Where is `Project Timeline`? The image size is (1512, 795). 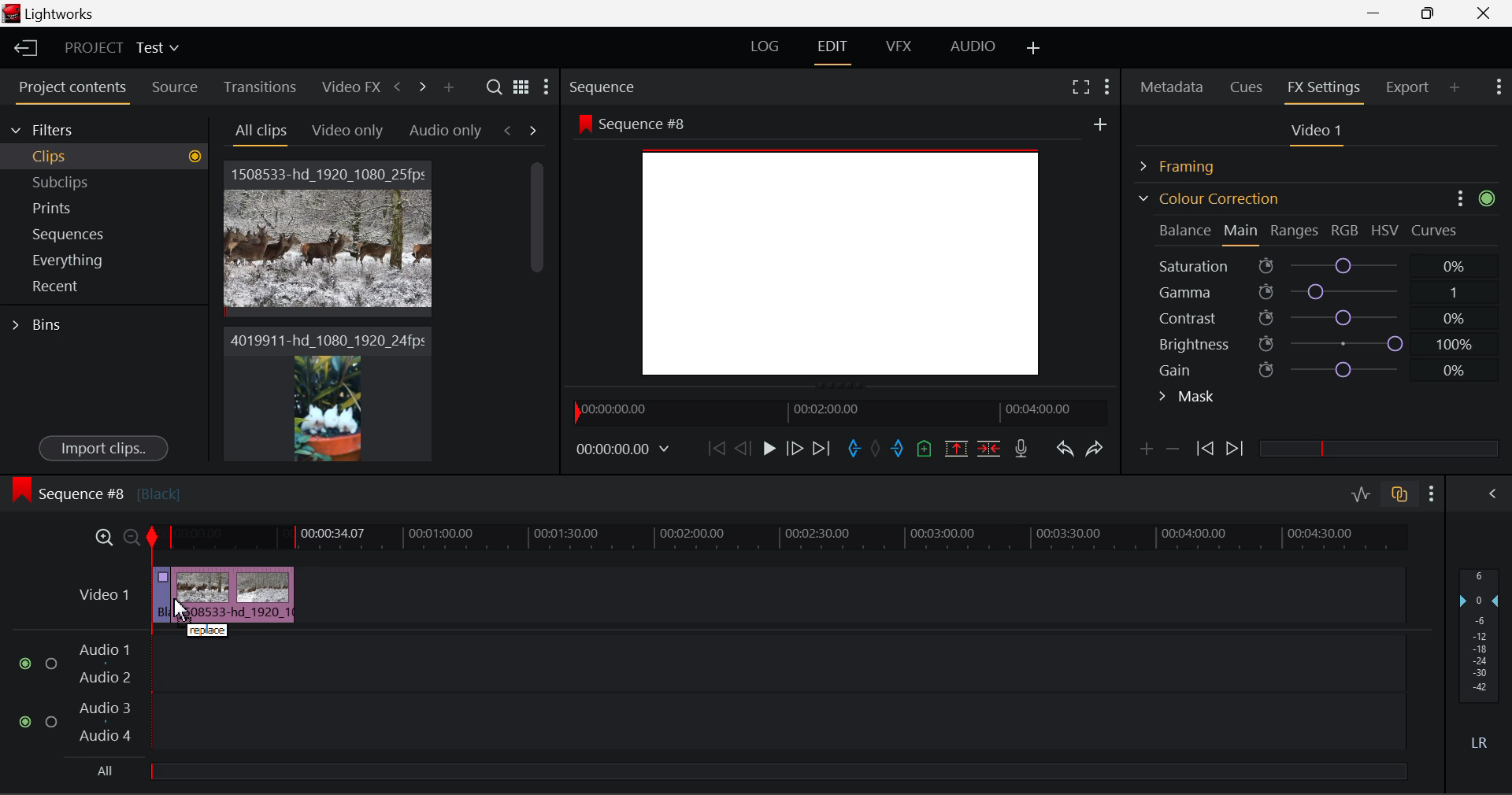
Project Timeline is located at coordinates (780, 538).